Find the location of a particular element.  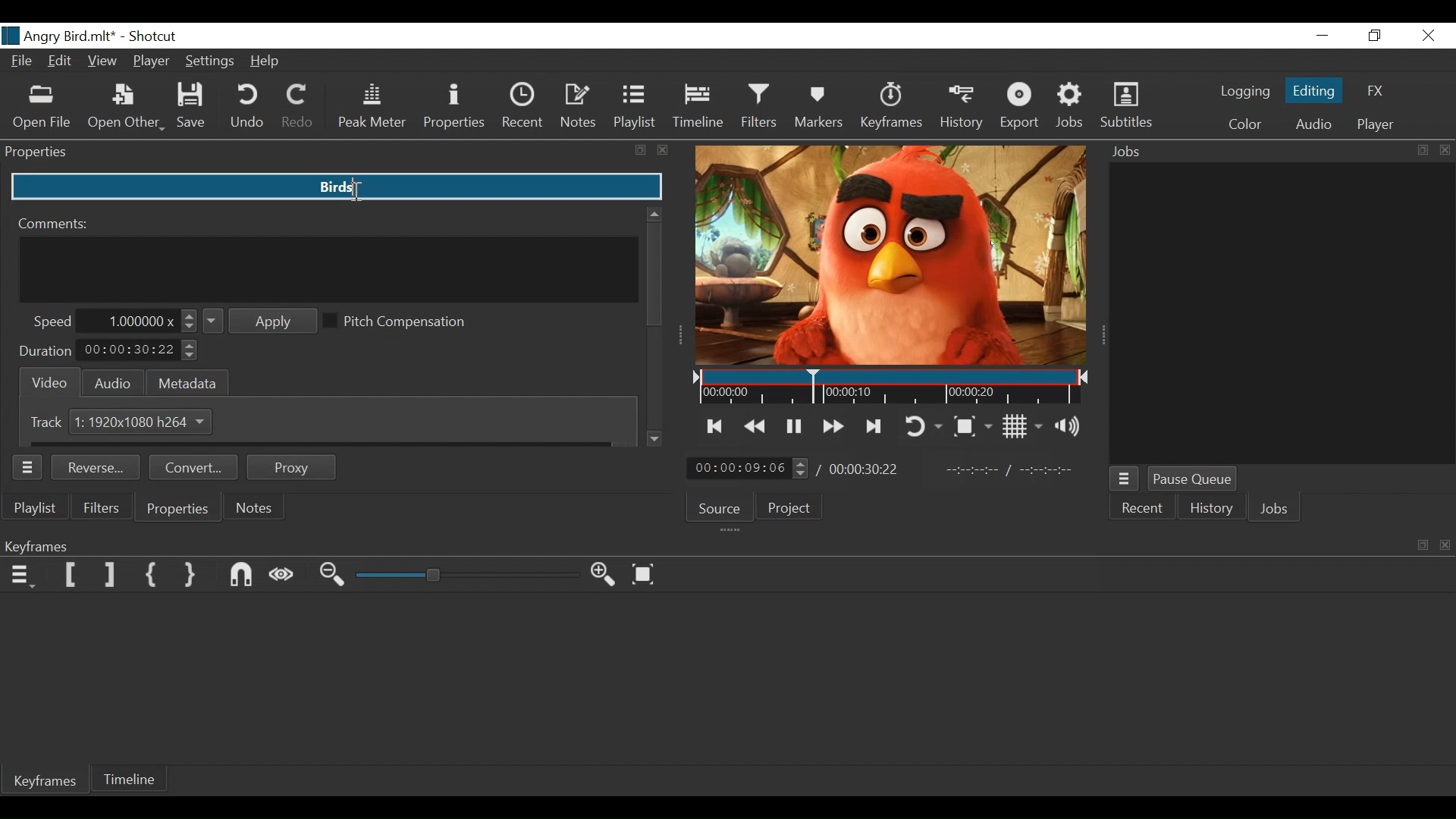

Toggle play or pause is located at coordinates (794, 426).